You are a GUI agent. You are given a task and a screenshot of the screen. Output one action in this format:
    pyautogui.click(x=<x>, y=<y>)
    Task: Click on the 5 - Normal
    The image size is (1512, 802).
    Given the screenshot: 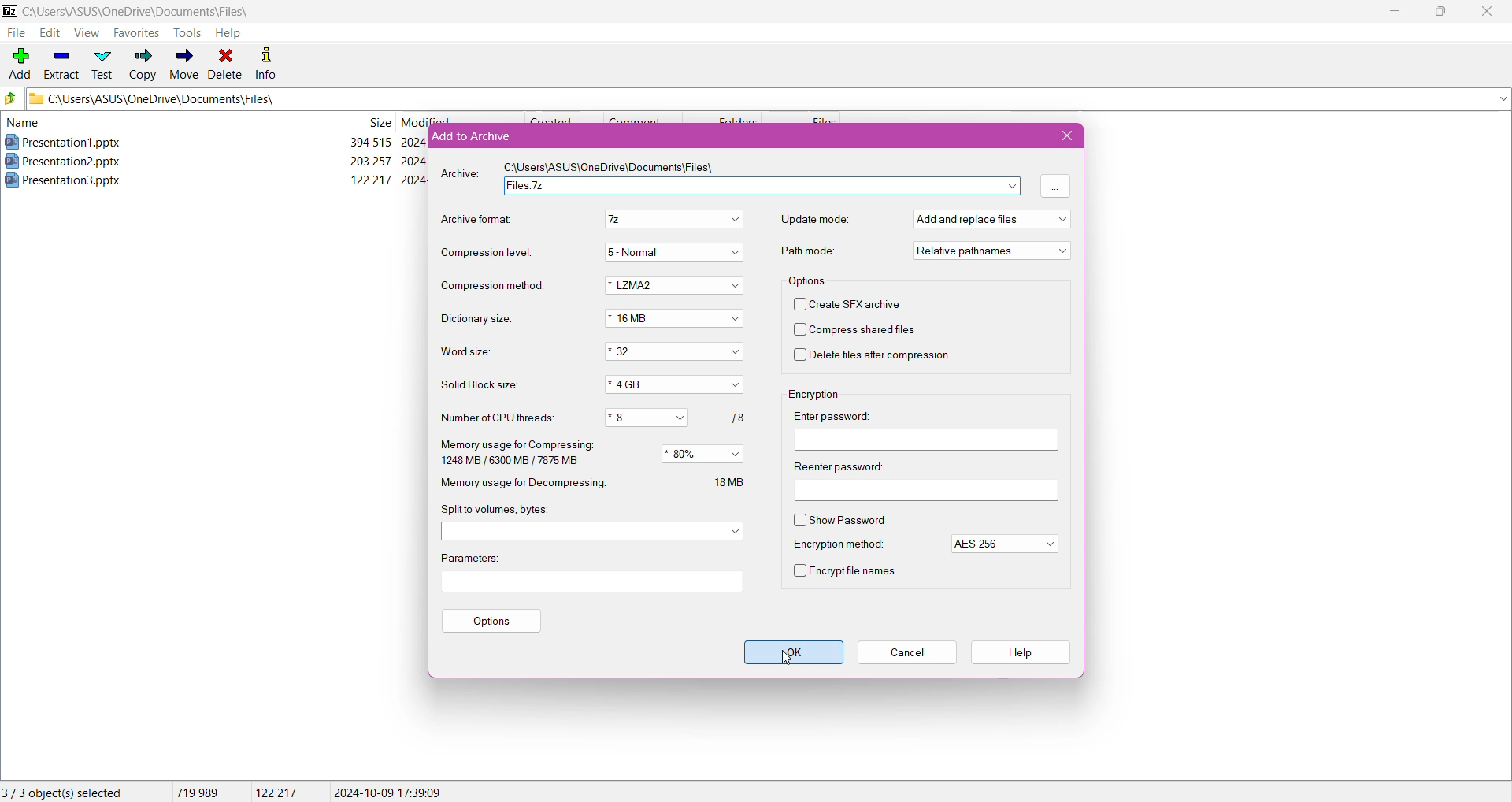 What is the action you would take?
    pyautogui.click(x=673, y=252)
    